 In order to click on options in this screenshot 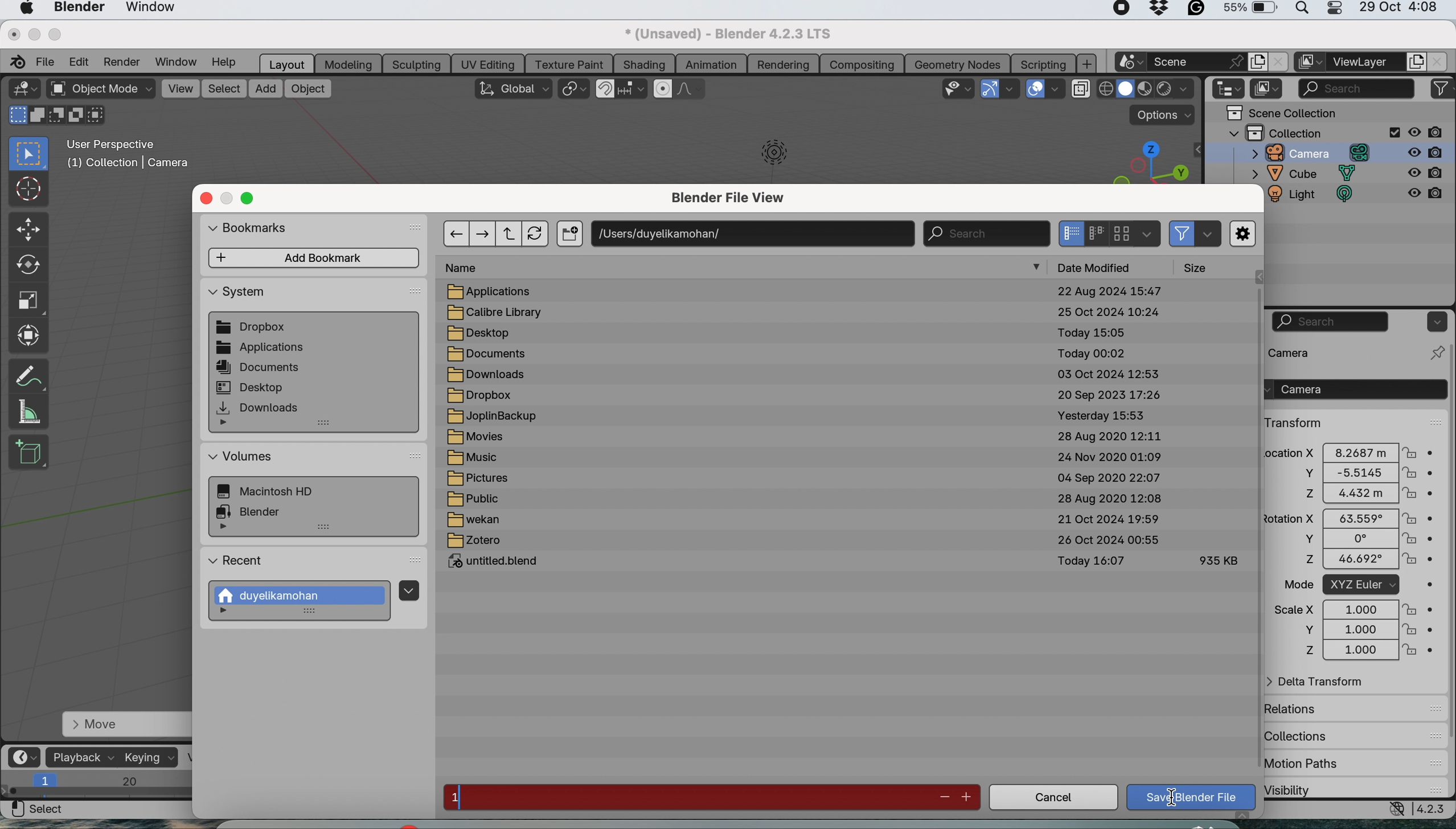, I will do `click(1164, 115)`.